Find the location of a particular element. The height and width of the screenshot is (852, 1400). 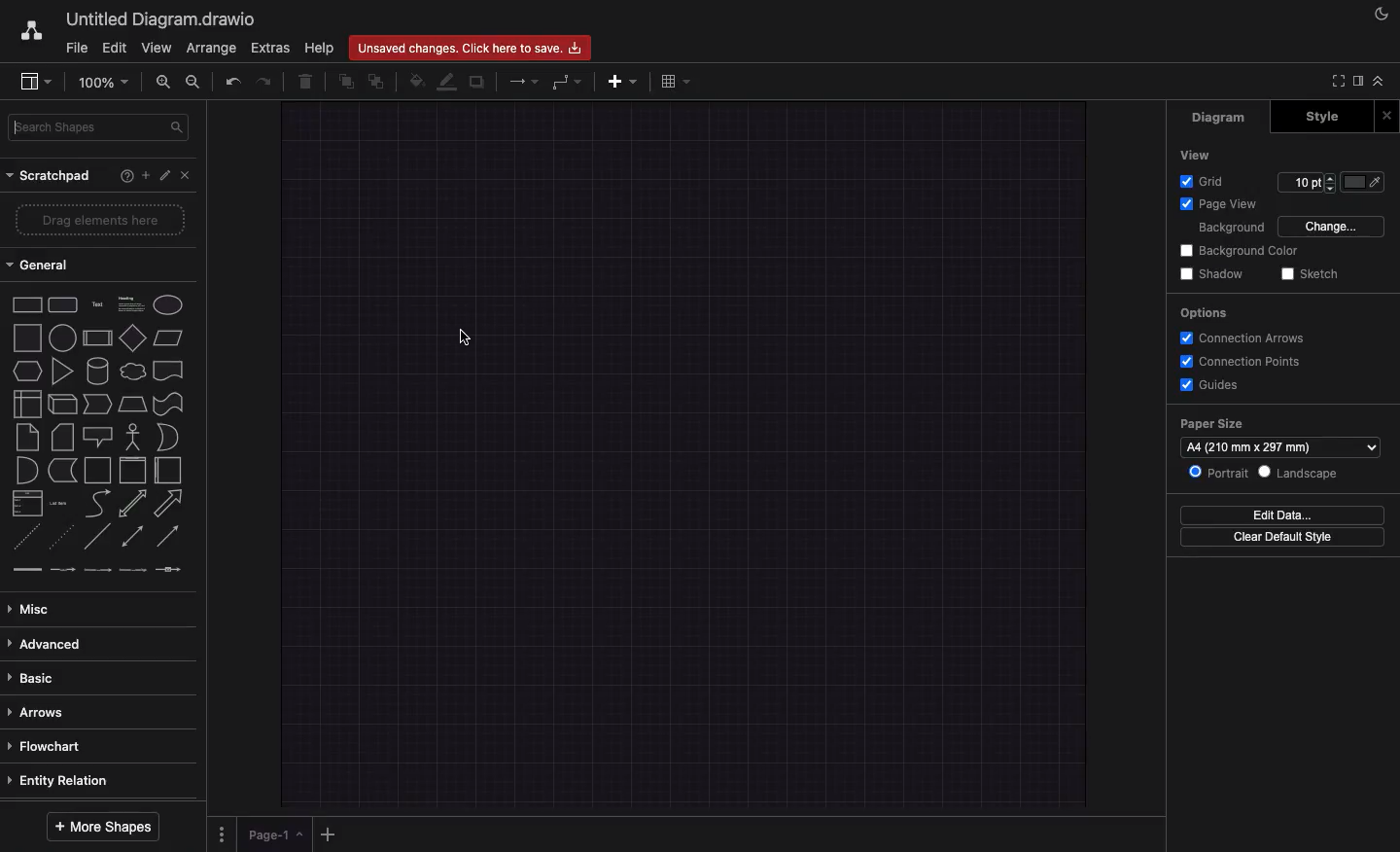

Sidebar is located at coordinates (1356, 82).